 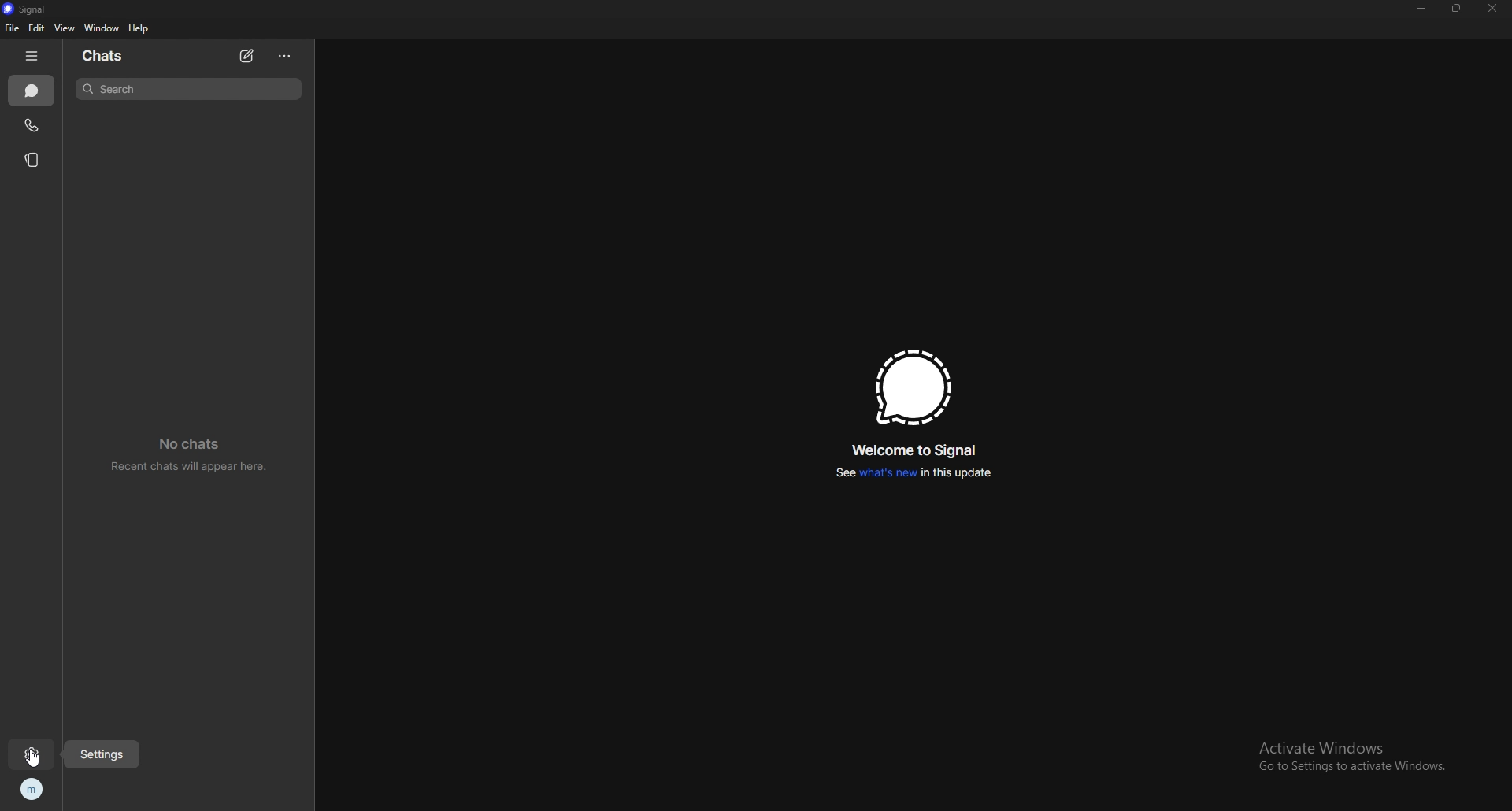 What do you see at coordinates (31, 91) in the screenshot?
I see `chats` at bounding box center [31, 91].